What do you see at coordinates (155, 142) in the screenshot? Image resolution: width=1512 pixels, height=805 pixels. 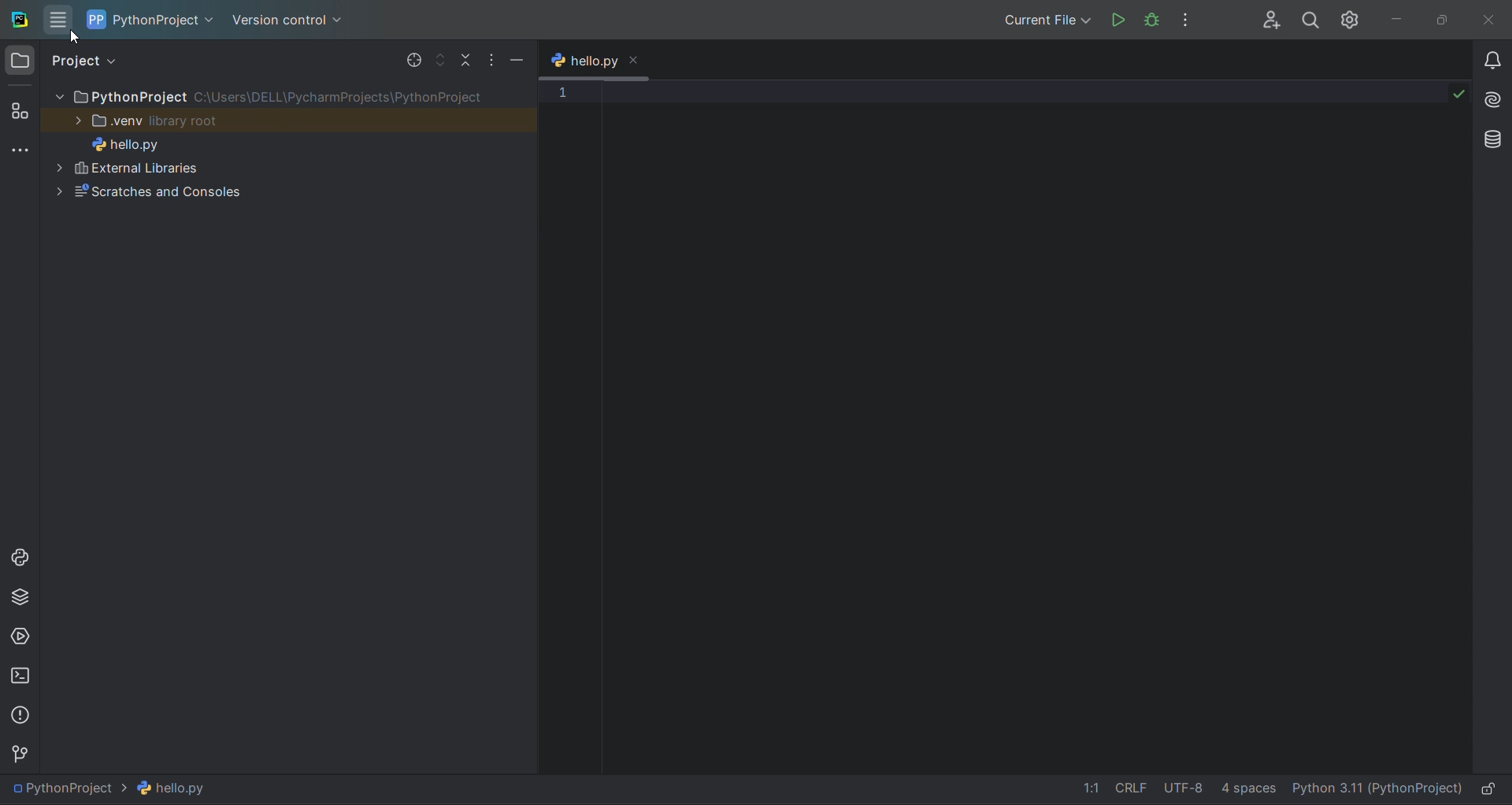 I see `hello.py` at bounding box center [155, 142].